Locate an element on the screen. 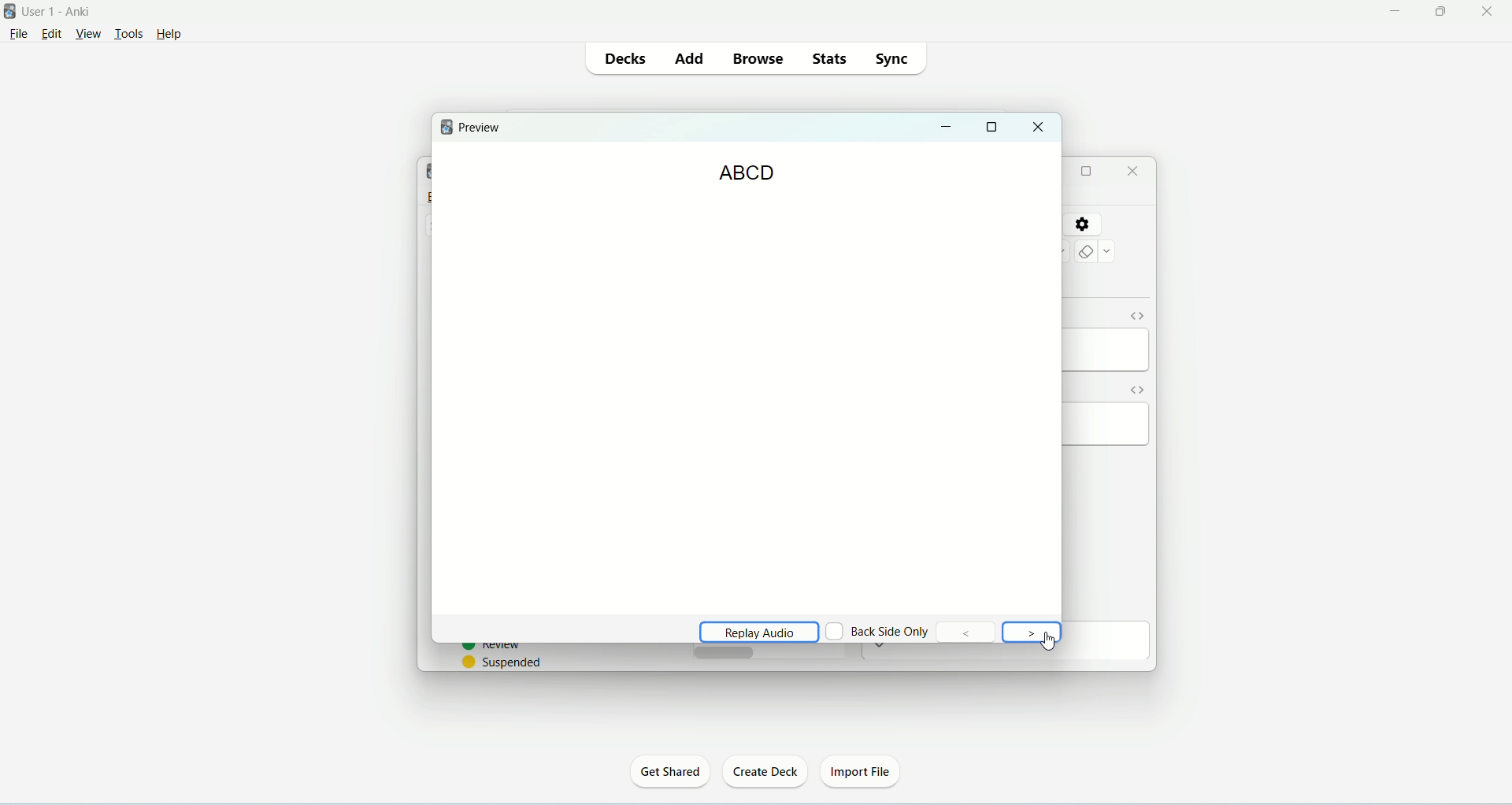 The image size is (1512, 805). logo is located at coordinates (9, 11).